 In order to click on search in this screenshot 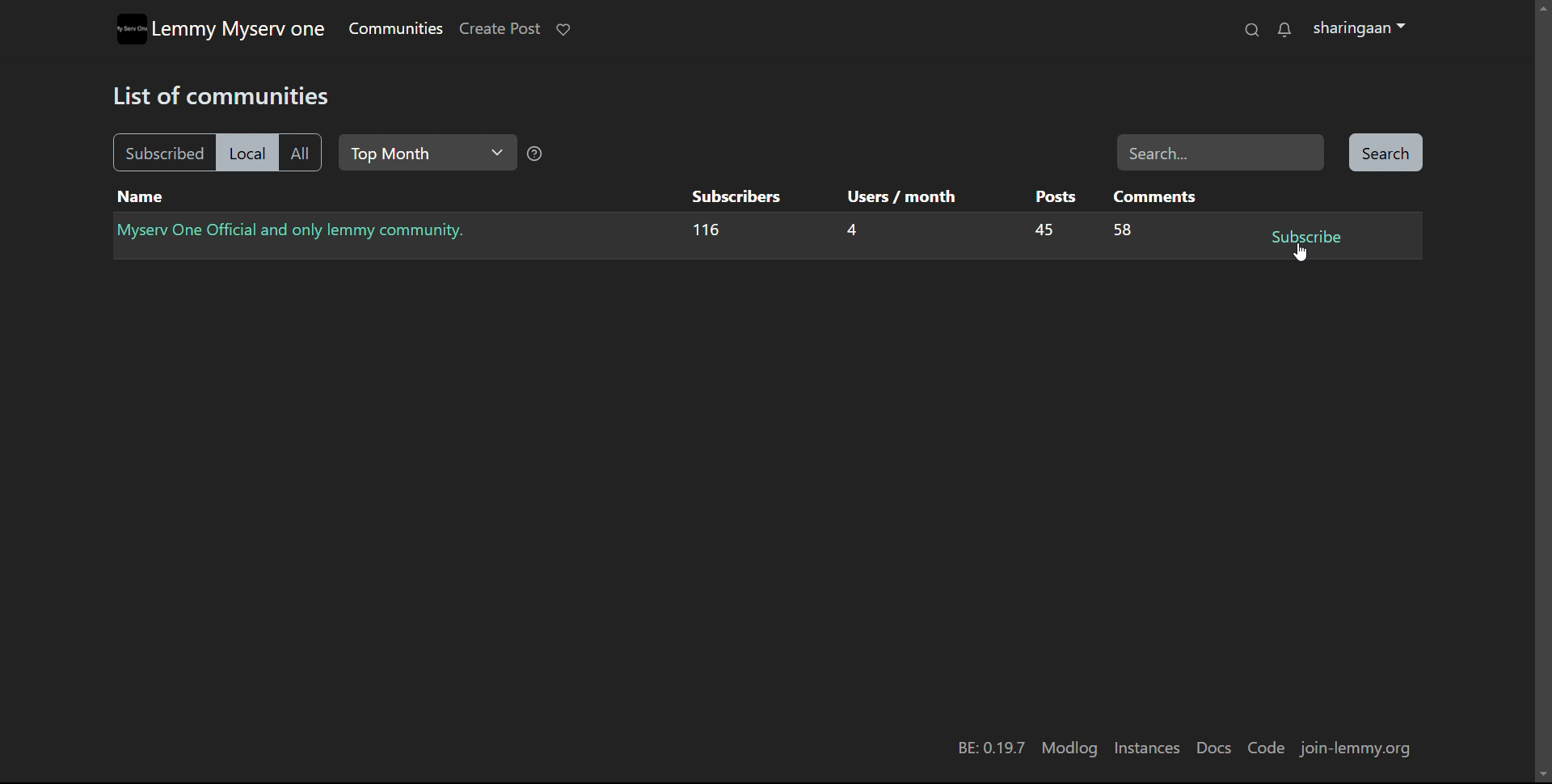, I will do `click(1385, 154)`.